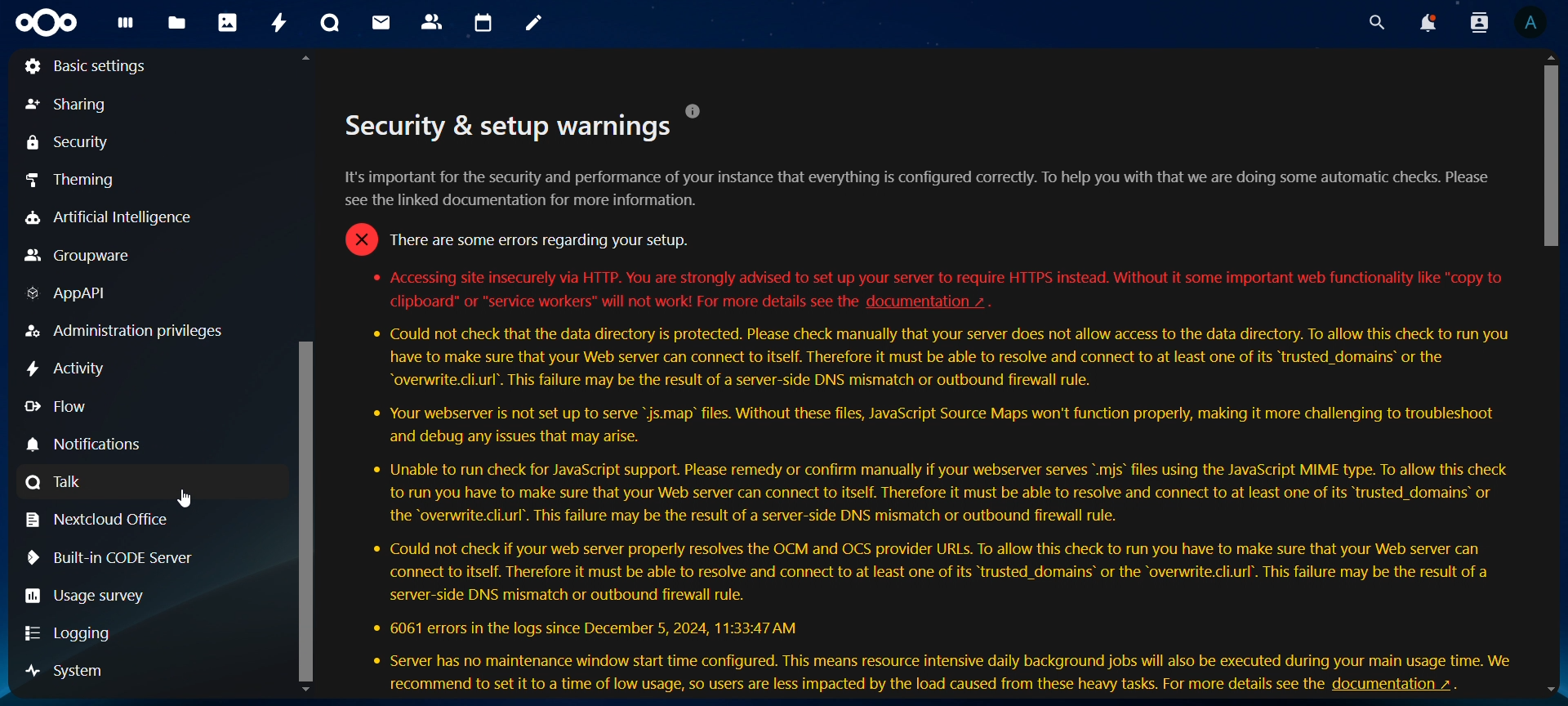 This screenshot has height=706, width=1568. What do you see at coordinates (280, 22) in the screenshot?
I see `activity` at bounding box center [280, 22].